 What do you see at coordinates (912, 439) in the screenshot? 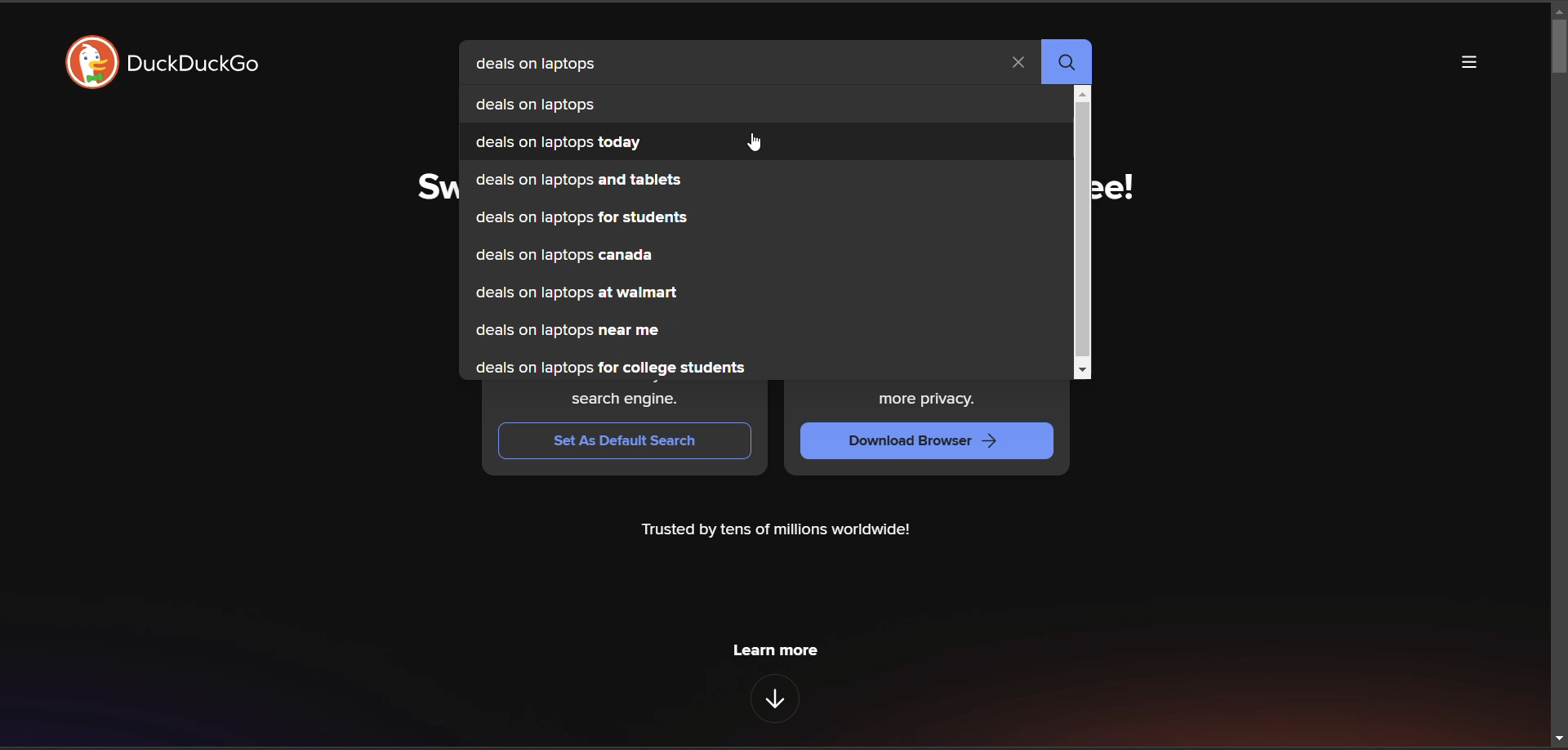
I see `Download Browser` at bounding box center [912, 439].